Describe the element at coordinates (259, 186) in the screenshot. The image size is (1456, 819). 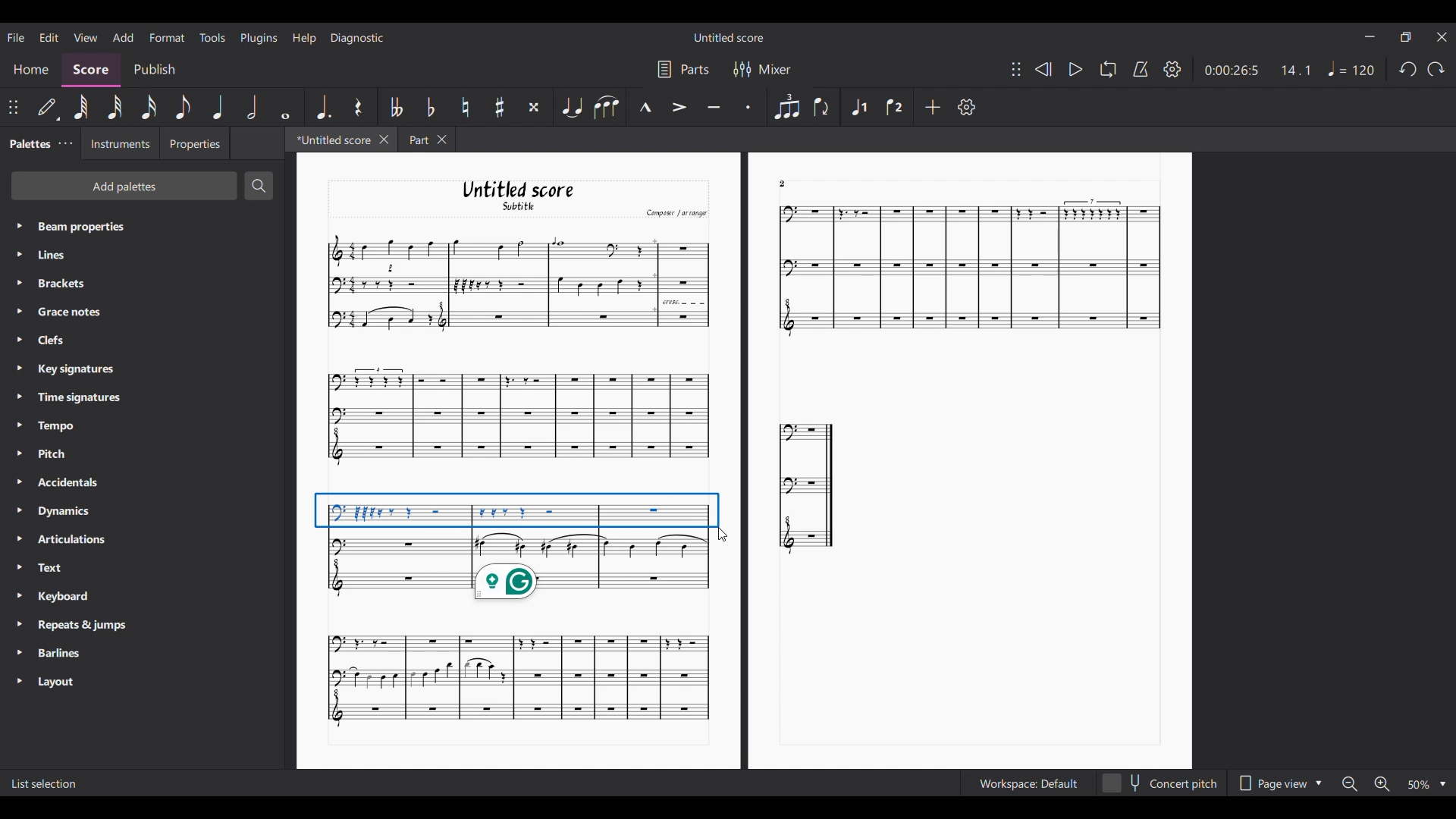
I see `Search` at that location.